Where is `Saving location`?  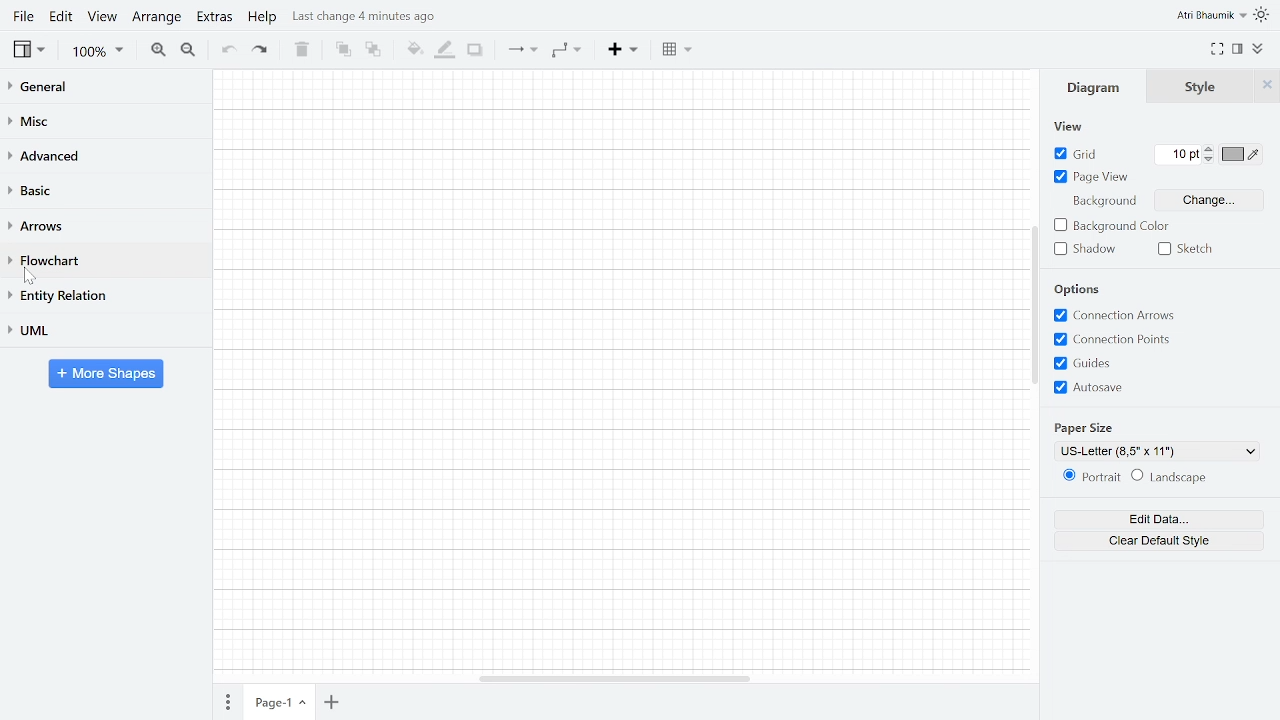 Saving location is located at coordinates (367, 16).